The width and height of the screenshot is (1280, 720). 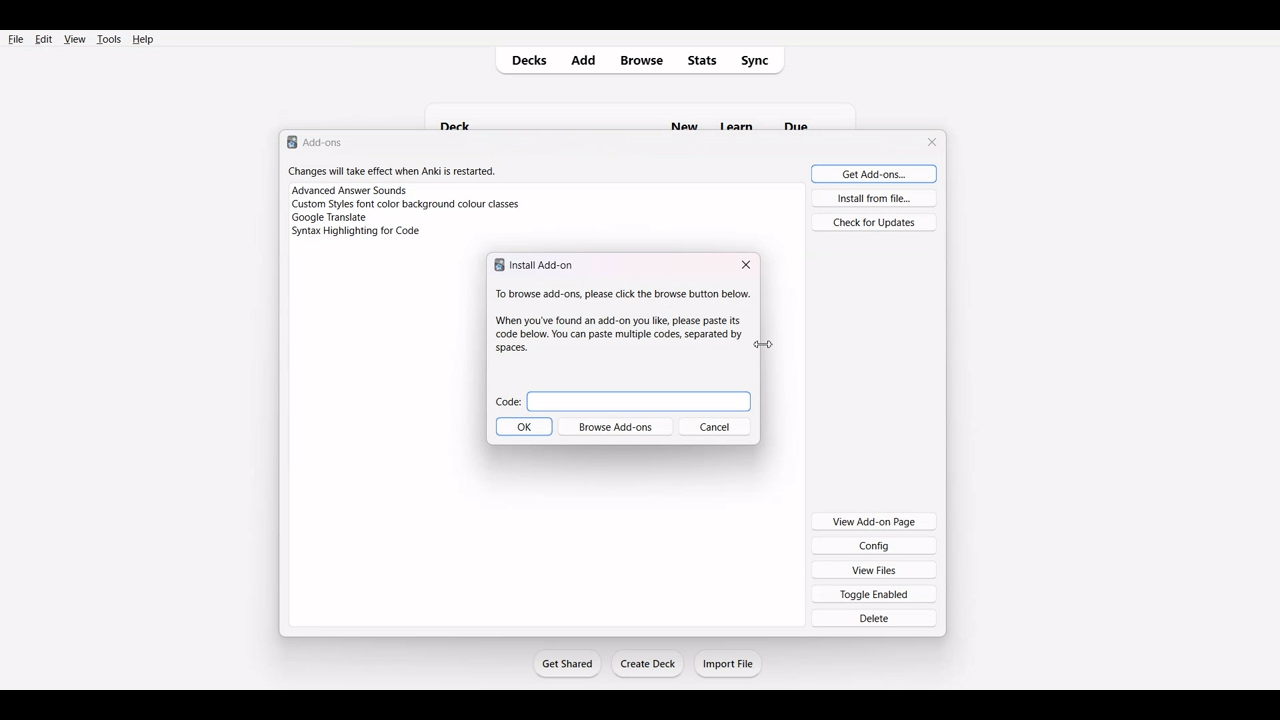 I want to click on new, so click(x=683, y=116).